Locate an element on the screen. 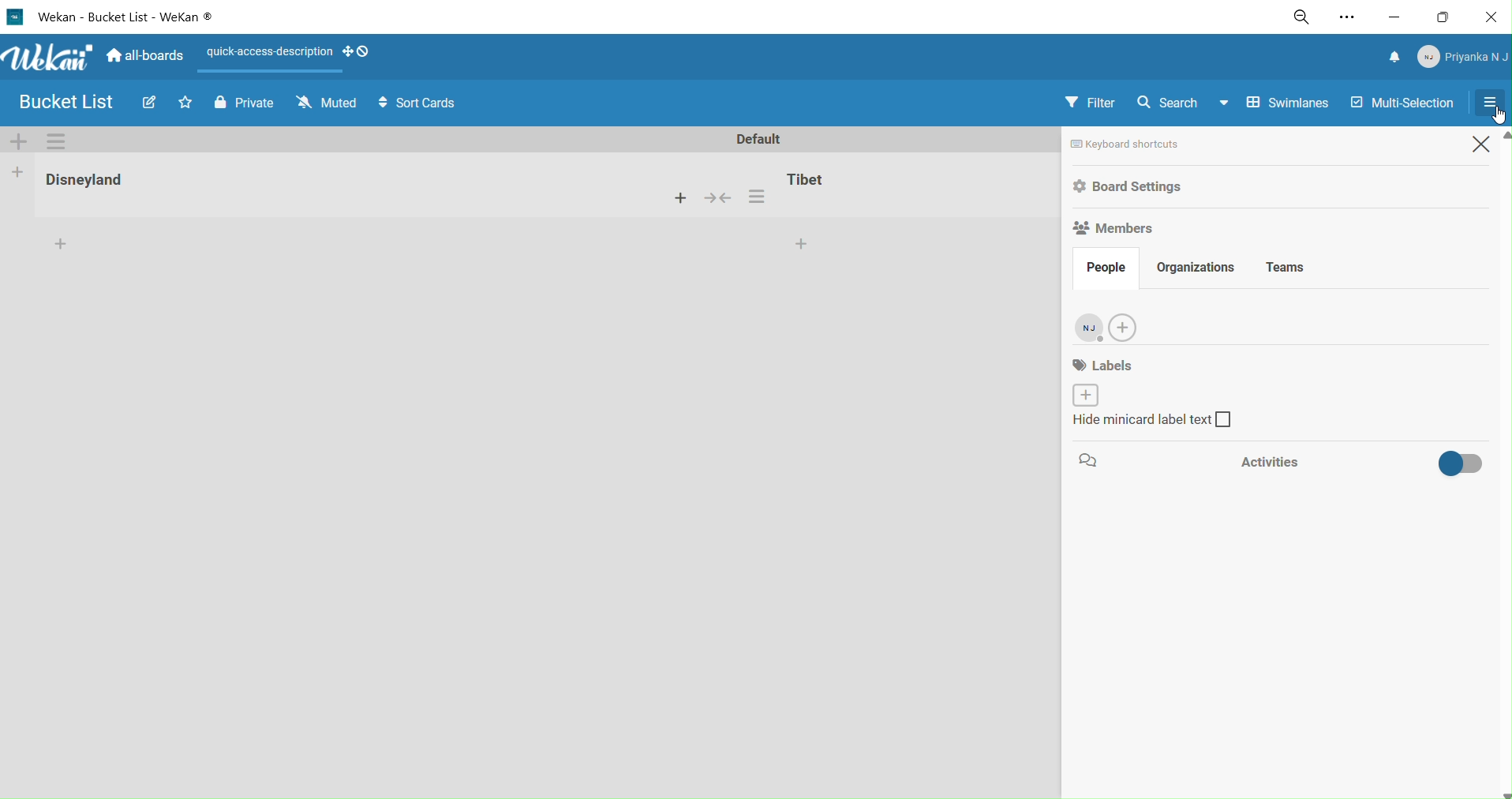  people is located at coordinates (1102, 268).